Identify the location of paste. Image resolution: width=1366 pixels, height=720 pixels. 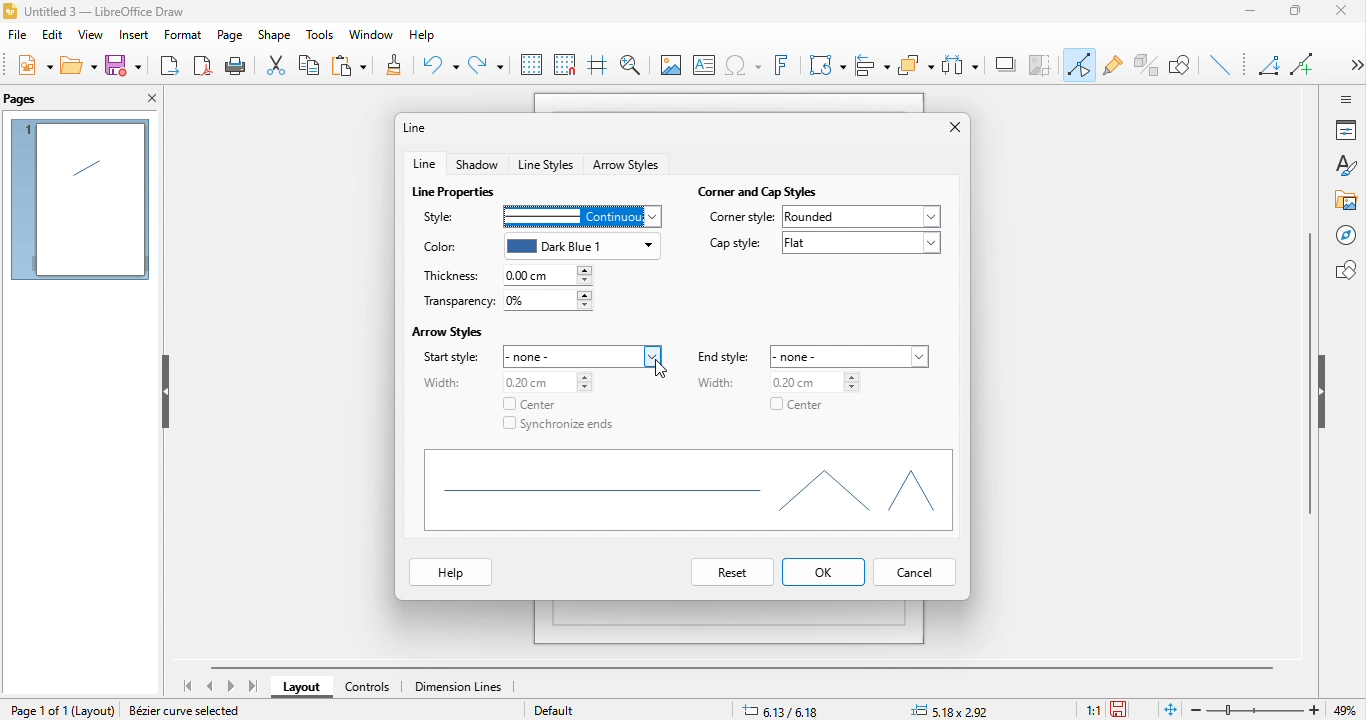
(355, 66).